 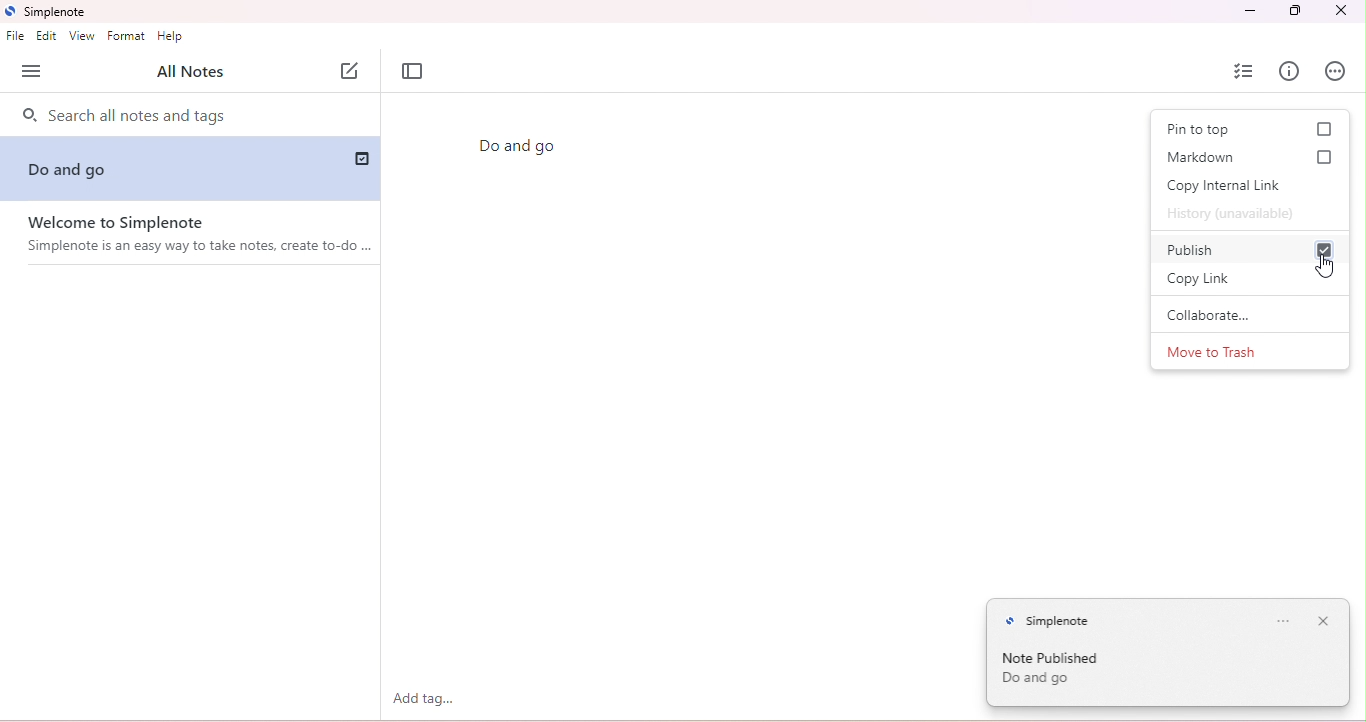 I want to click on actions, so click(x=1337, y=70).